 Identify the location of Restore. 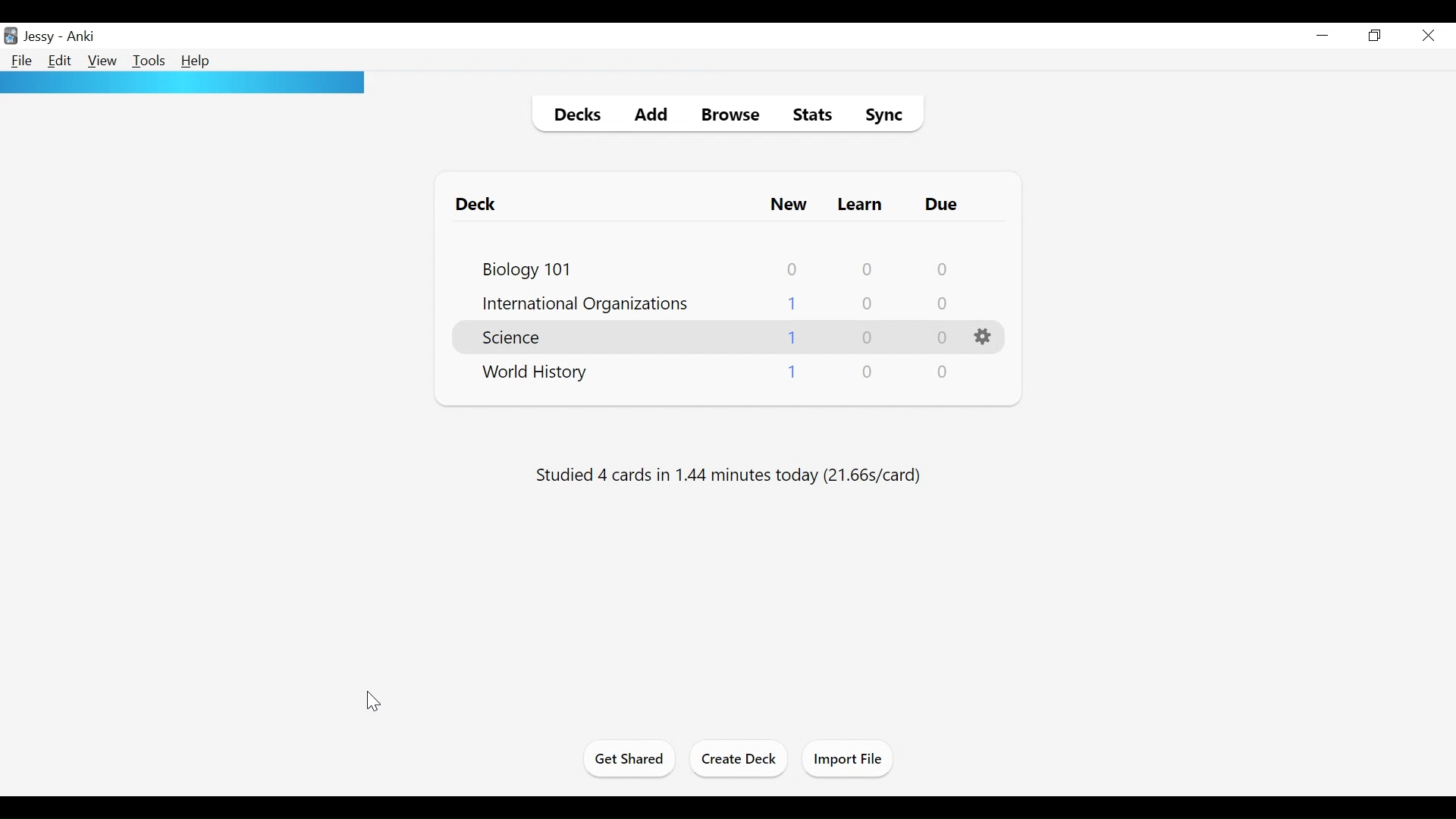
(1375, 36).